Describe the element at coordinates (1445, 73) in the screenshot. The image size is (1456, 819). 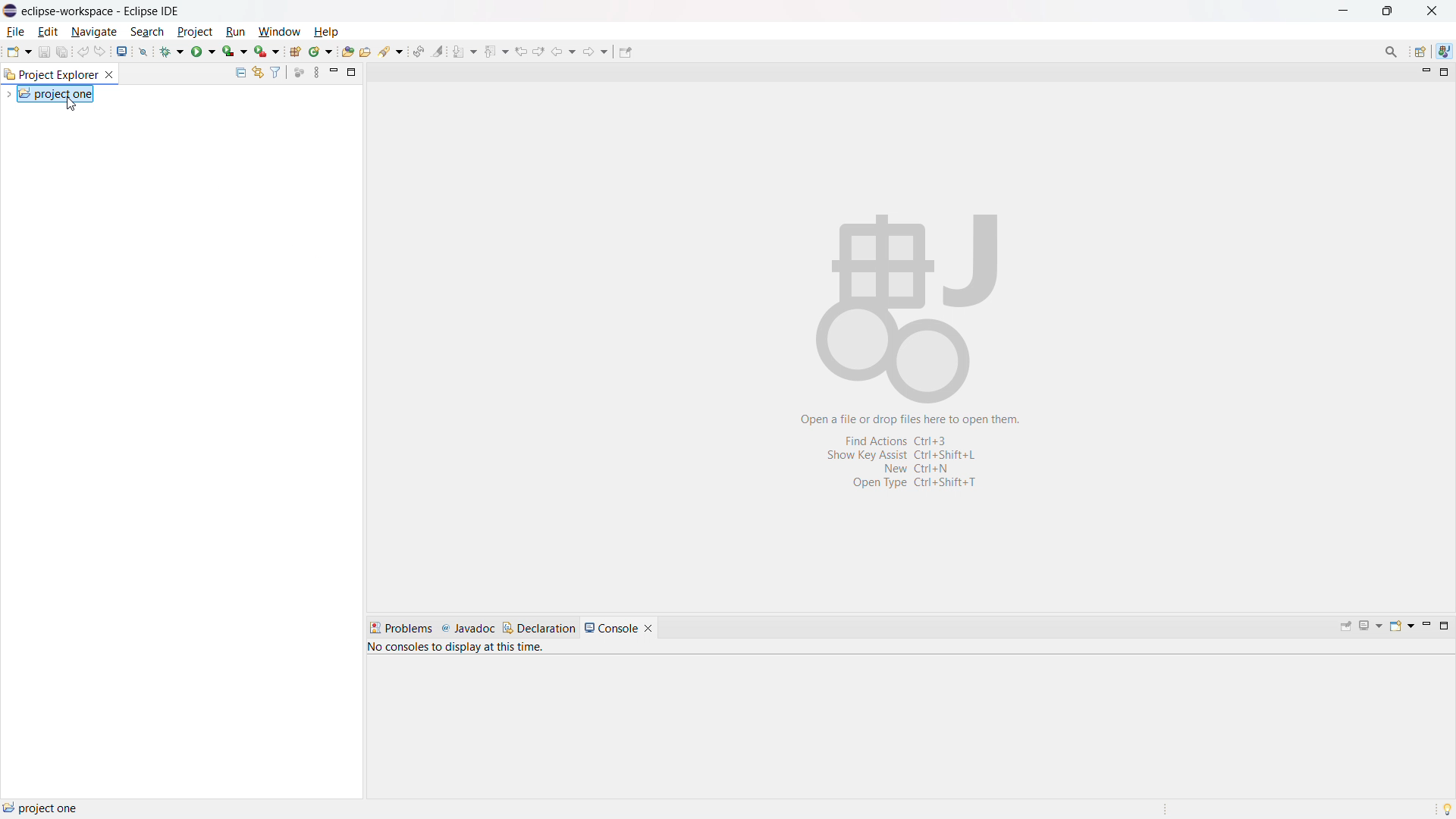
I see `maximize` at that location.